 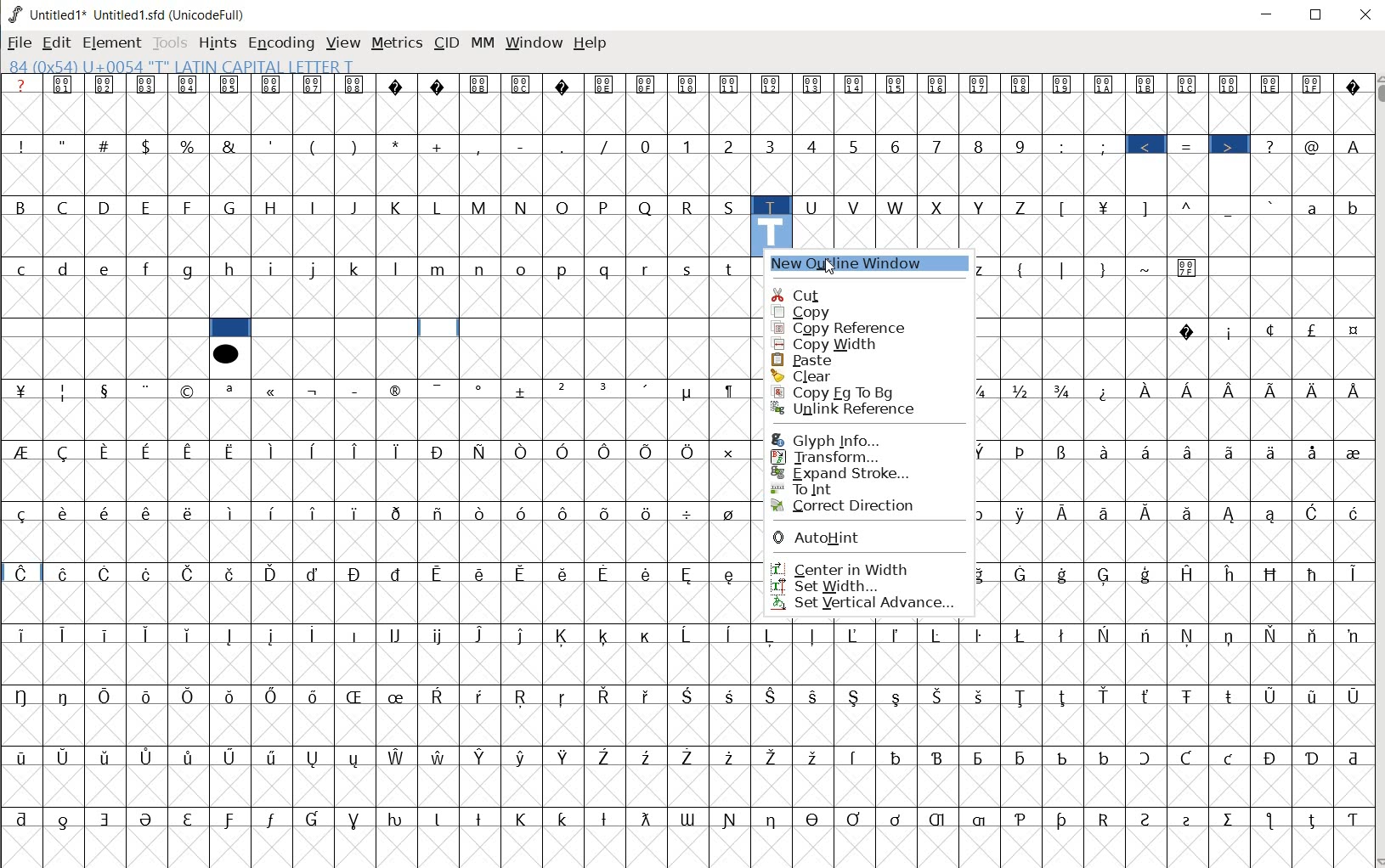 I want to click on Symbol, so click(x=274, y=86).